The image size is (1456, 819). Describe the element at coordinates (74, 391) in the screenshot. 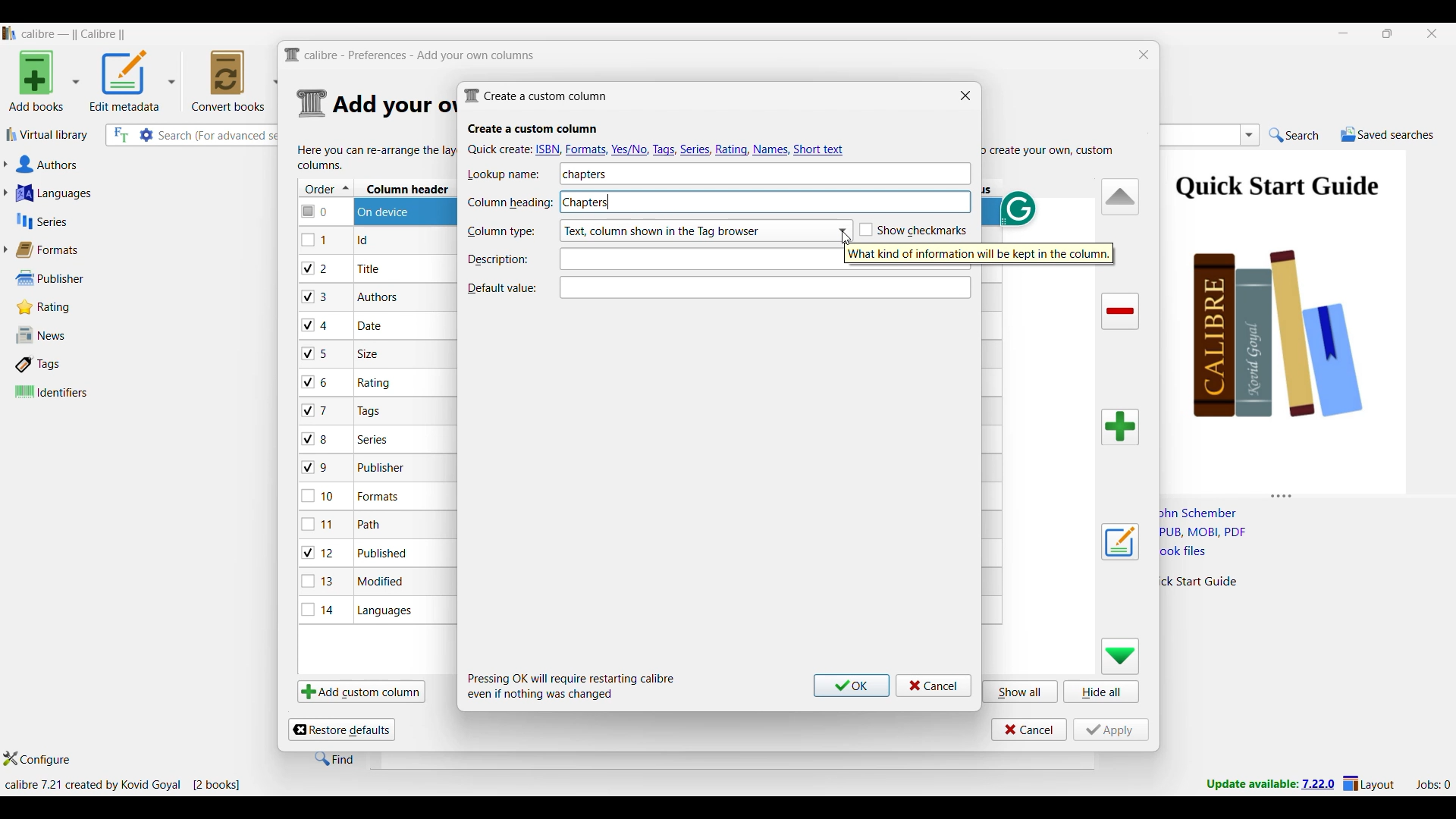

I see `Identifiers` at that location.